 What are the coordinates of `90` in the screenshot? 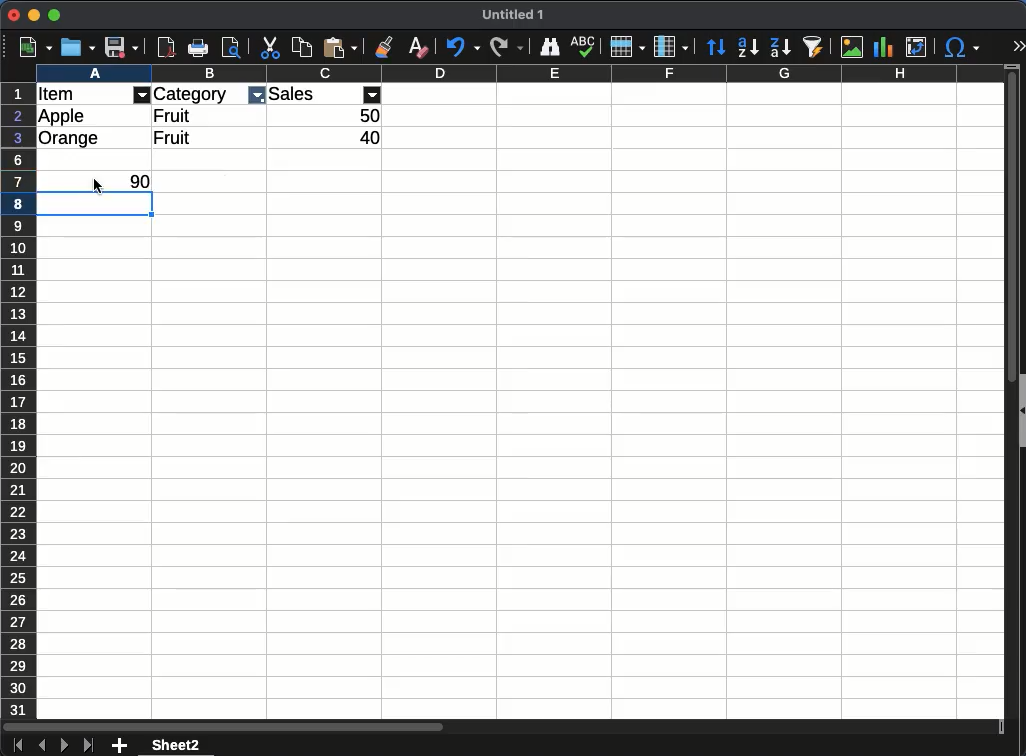 It's located at (139, 182).